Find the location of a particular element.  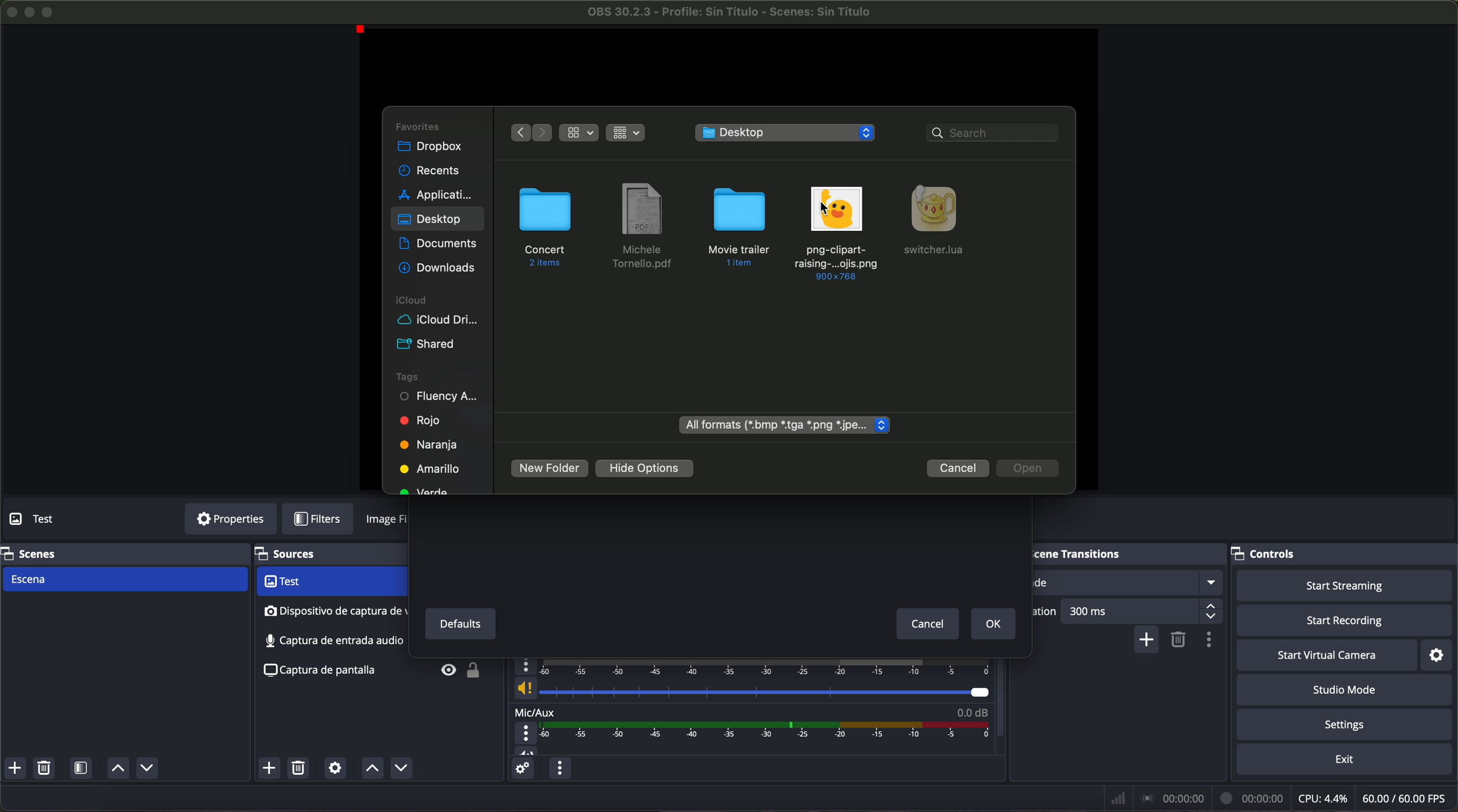

red point is located at coordinates (363, 31).